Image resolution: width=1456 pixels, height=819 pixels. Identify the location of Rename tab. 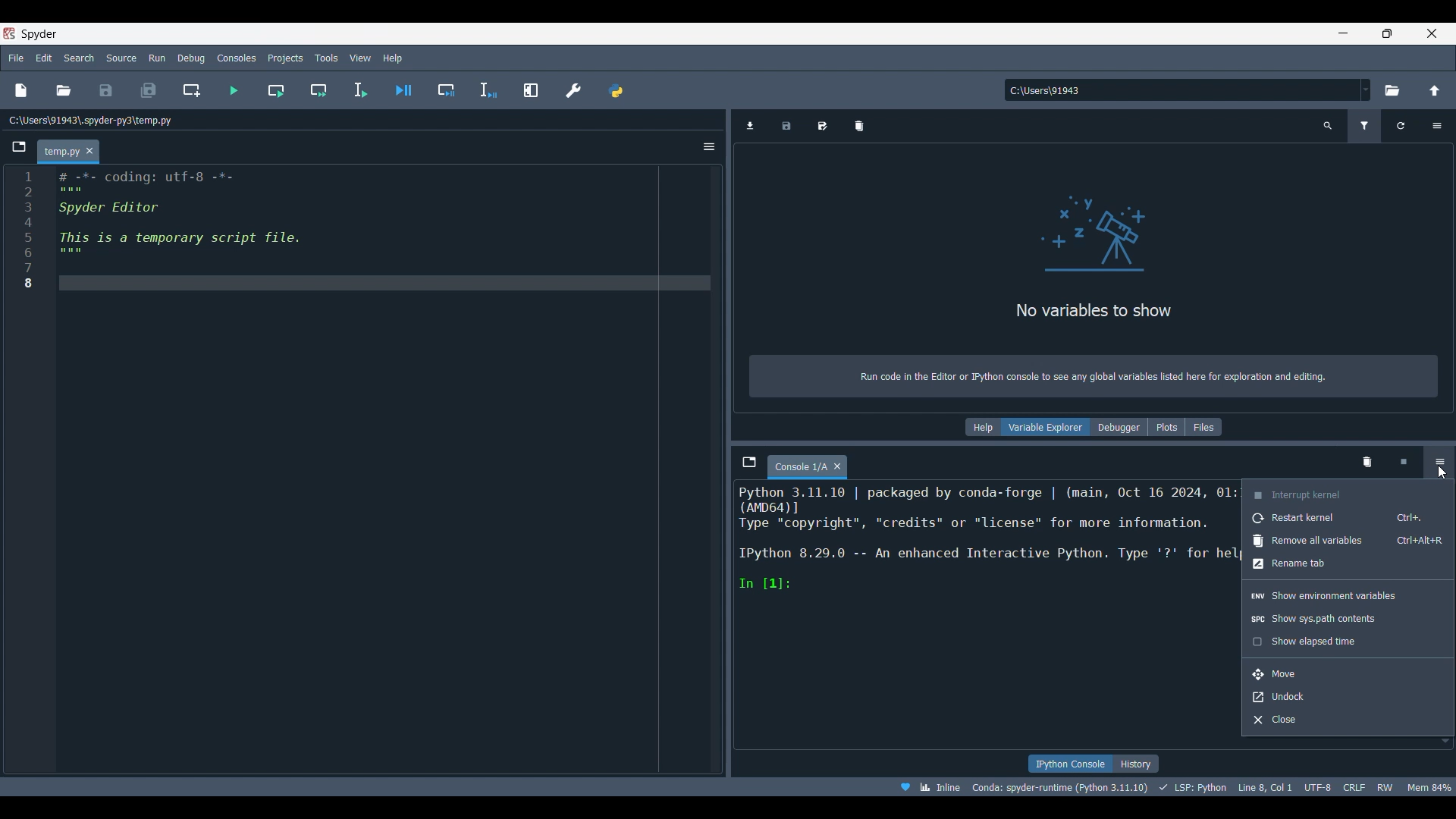
(1348, 564).